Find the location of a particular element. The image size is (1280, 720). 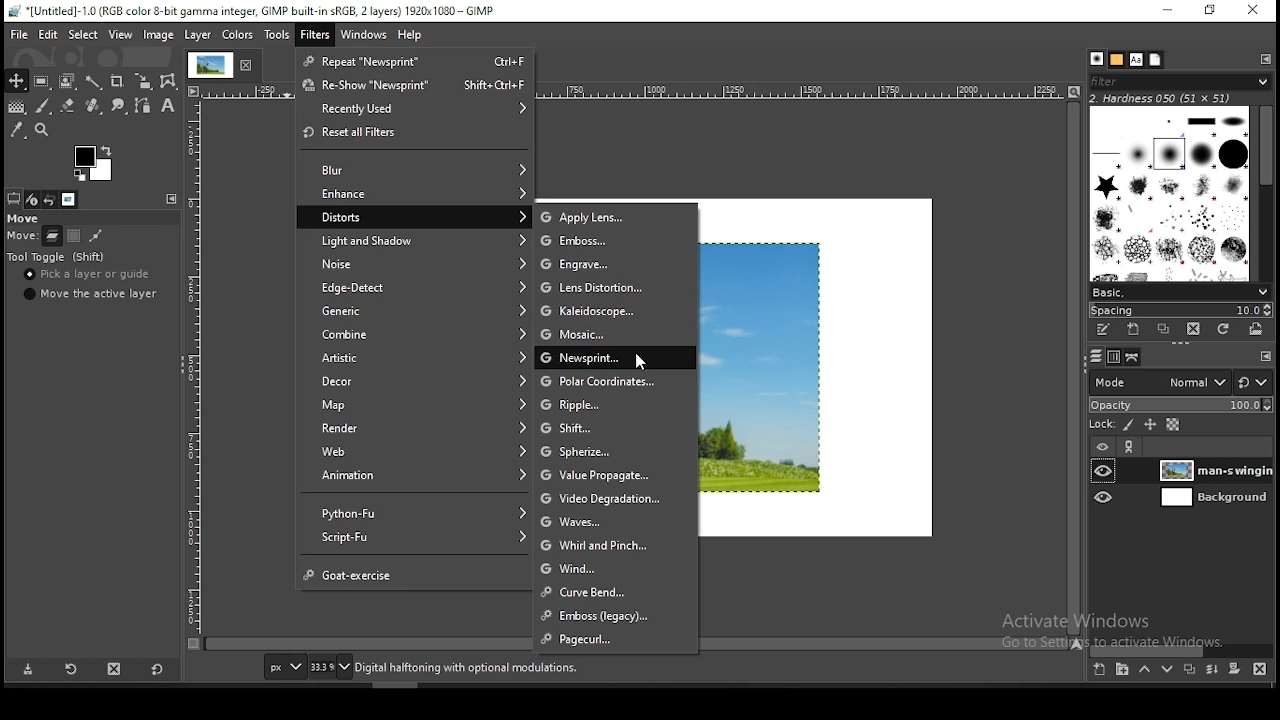

layer is located at coordinates (1214, 470).